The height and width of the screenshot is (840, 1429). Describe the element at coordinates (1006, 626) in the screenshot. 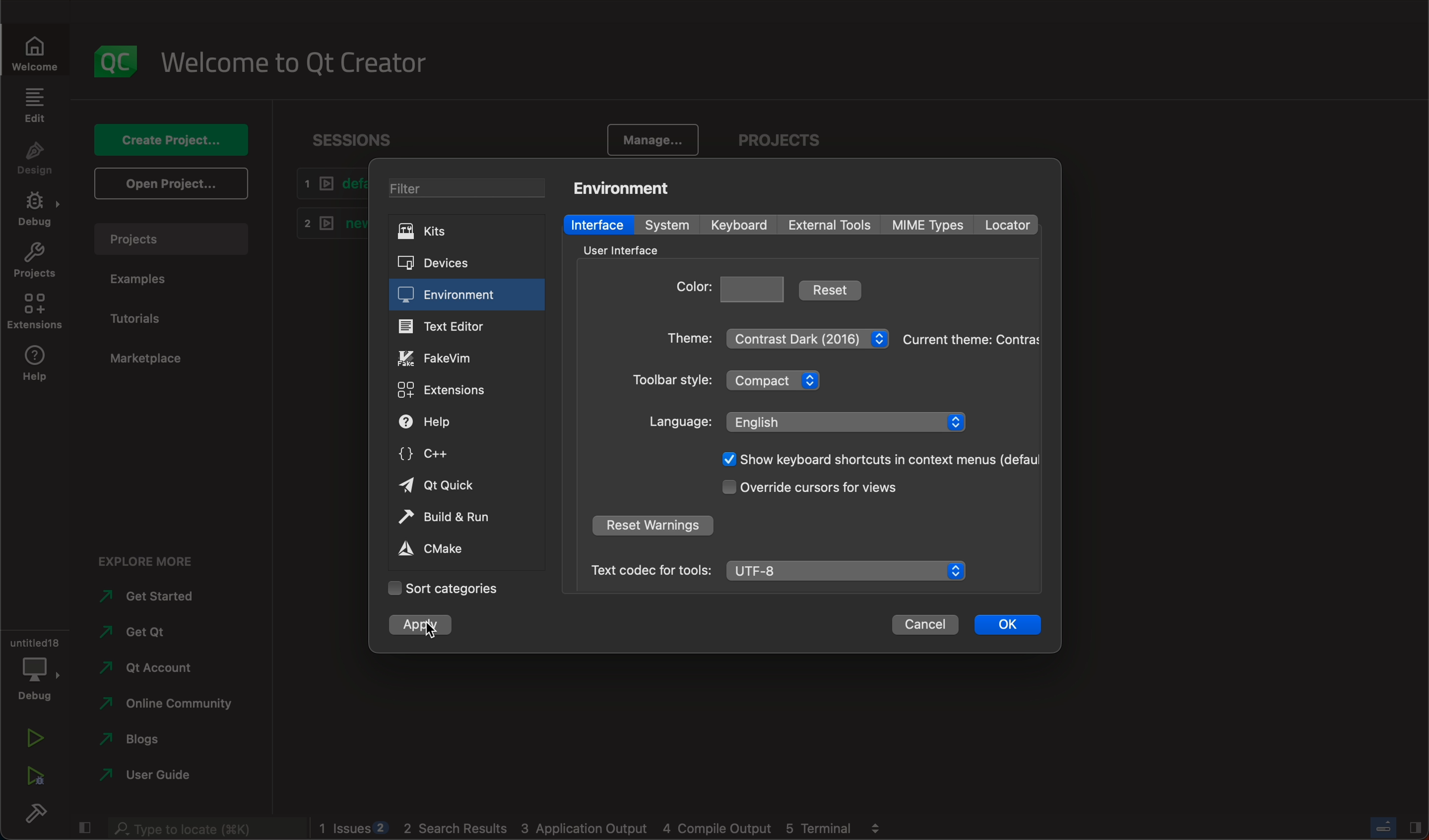

I see `ok` at that location.